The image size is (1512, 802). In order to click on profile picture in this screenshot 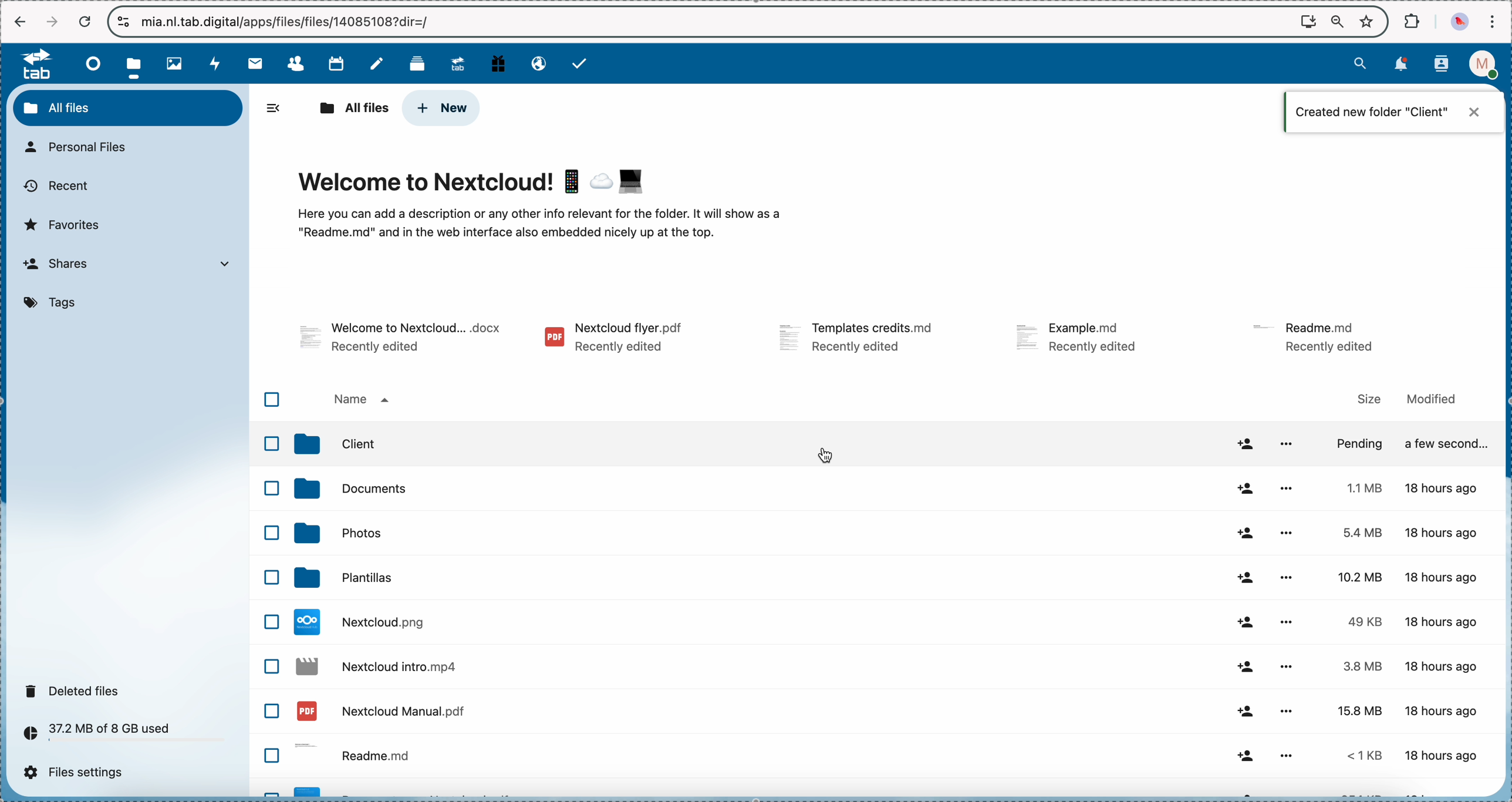, I will do `click(1462, 22)`.